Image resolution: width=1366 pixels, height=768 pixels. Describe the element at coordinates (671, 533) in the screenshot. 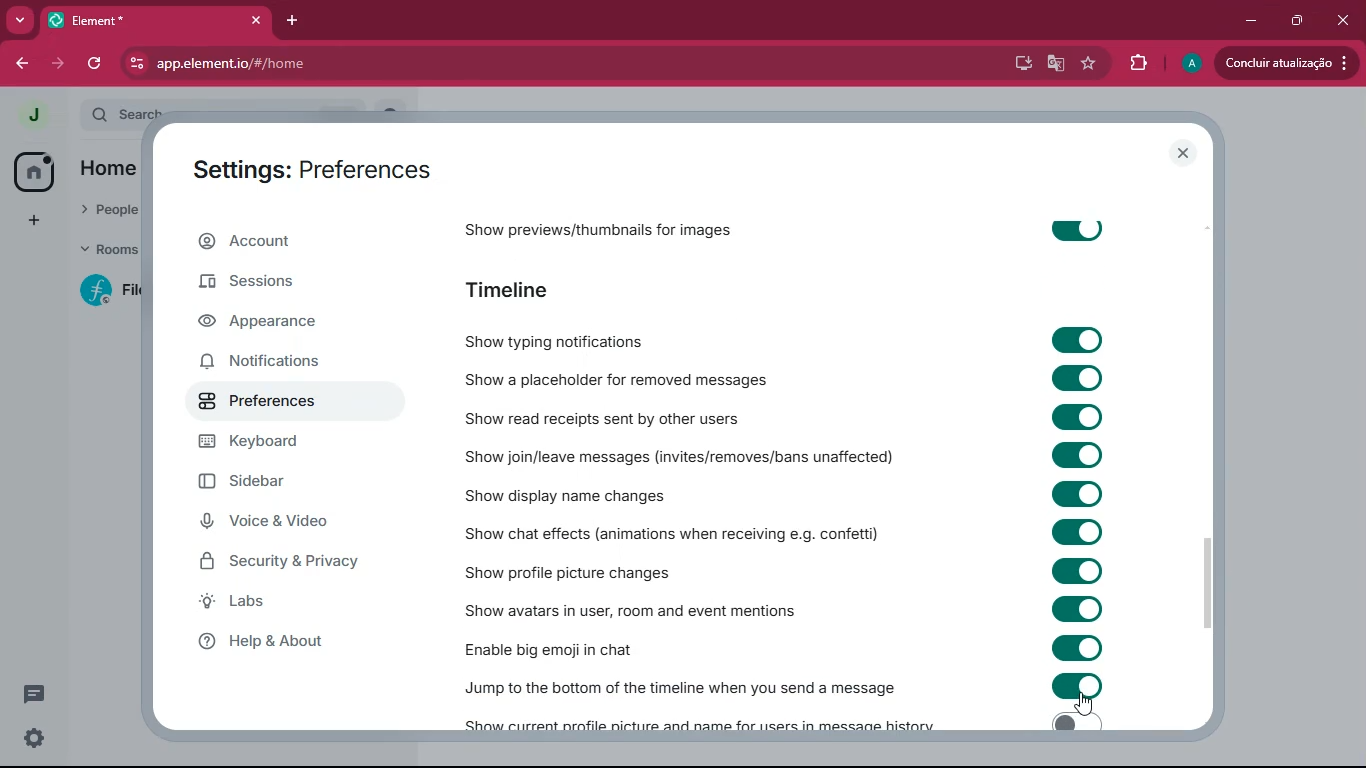

I see `show chat effects (animations when receiving e.g. confetti)` at that location.